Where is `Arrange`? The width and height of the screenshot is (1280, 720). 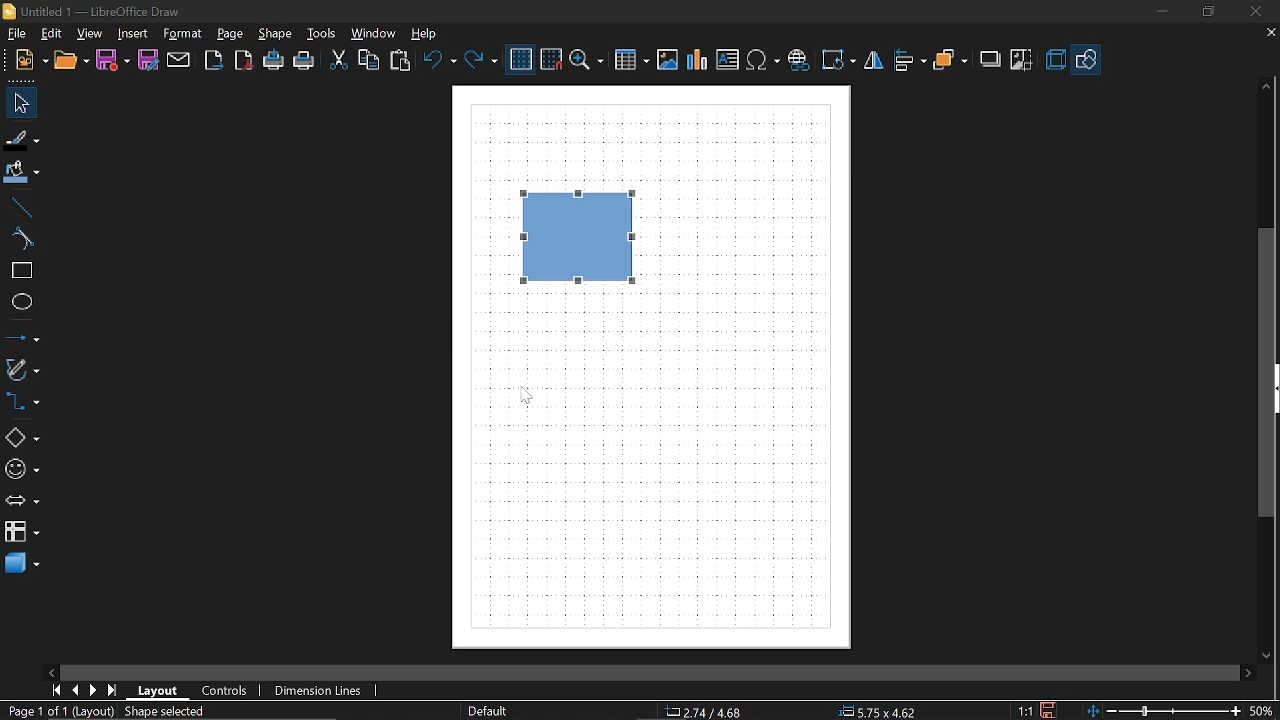 Arrange is located at coordinates (950, 62).